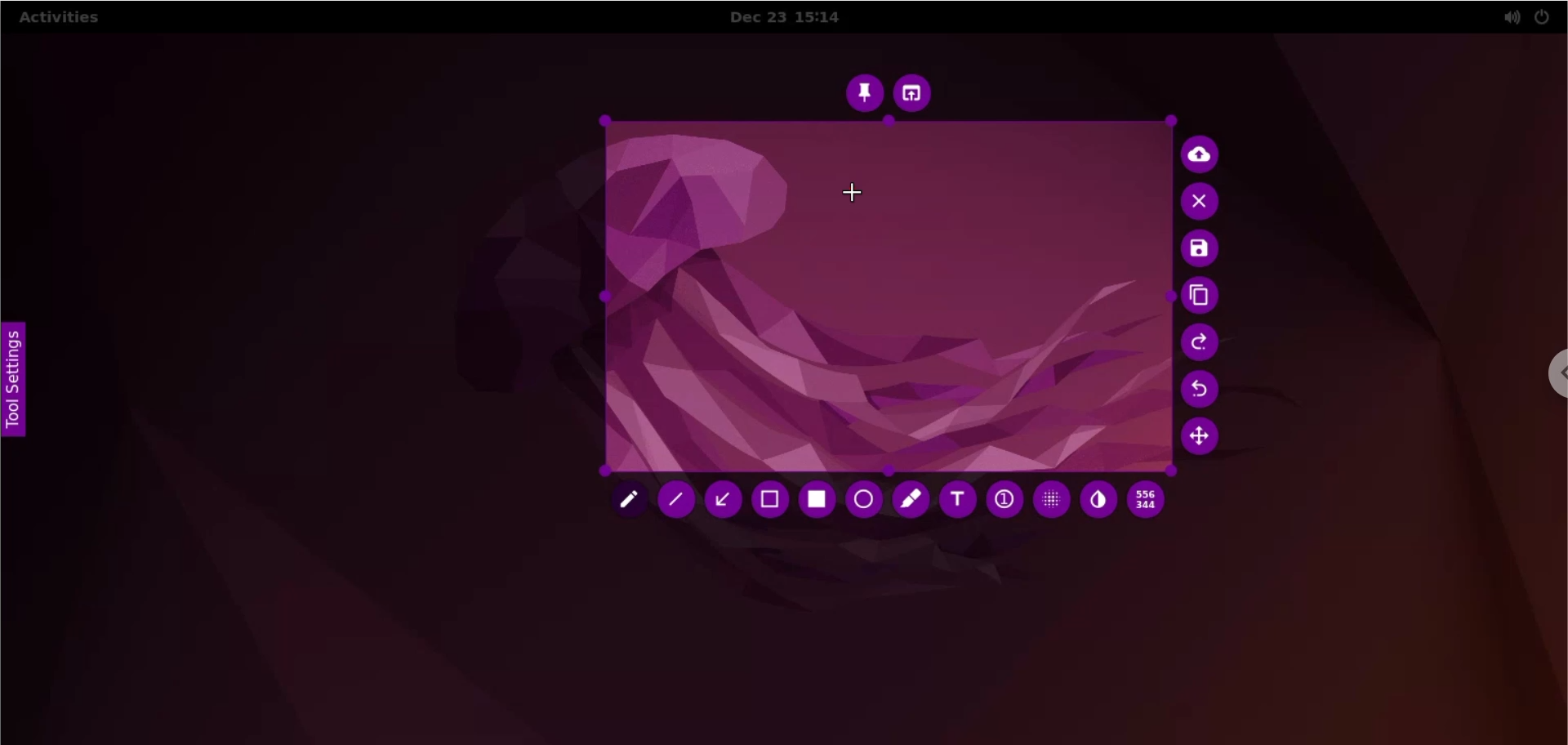 The image size is (1568, 745). What do you see at coordinates (727, 499) in the screenshot?
I see `arrow` at bounding box center [727, 499].